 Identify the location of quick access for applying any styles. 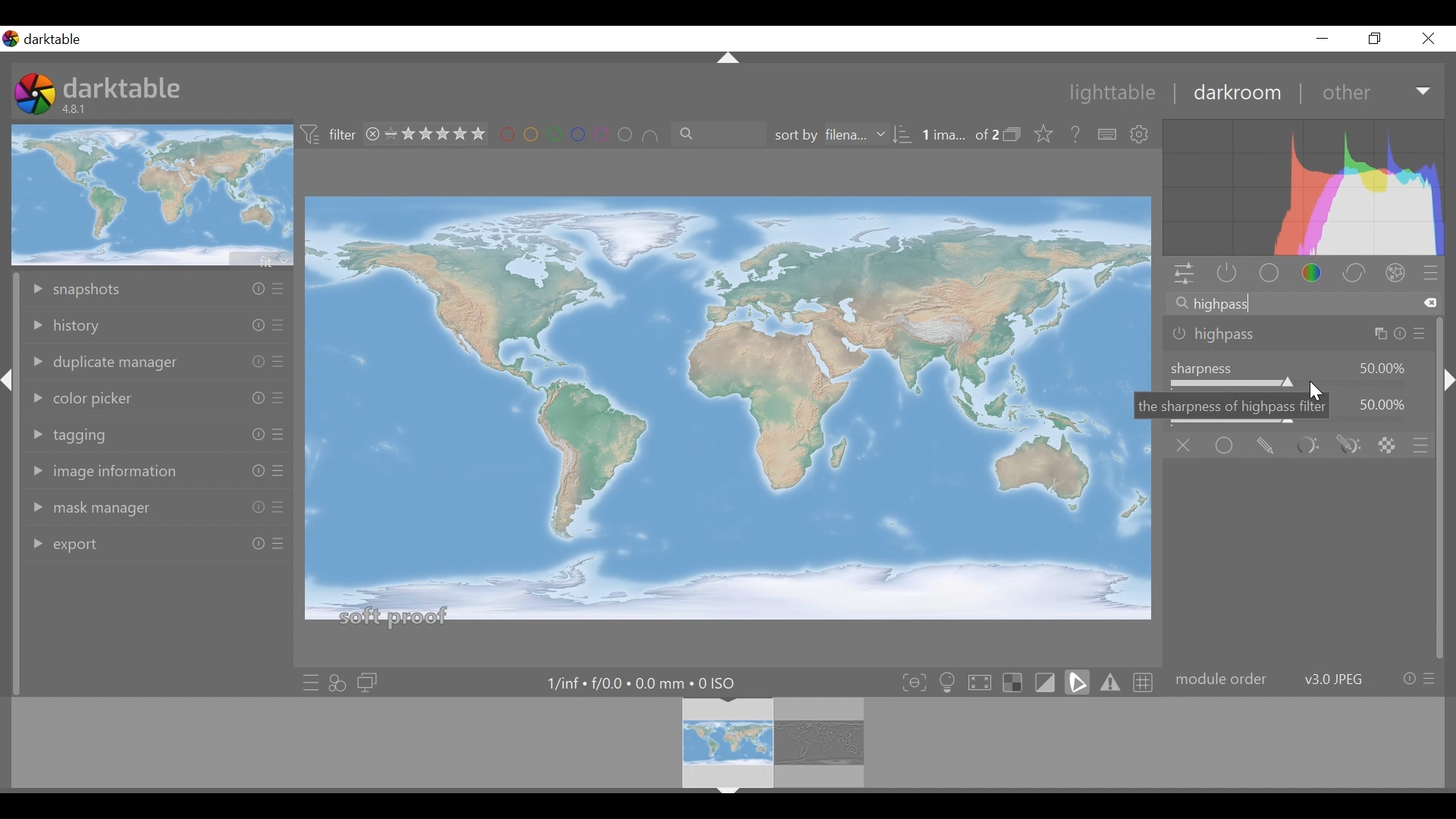
(338, 683).